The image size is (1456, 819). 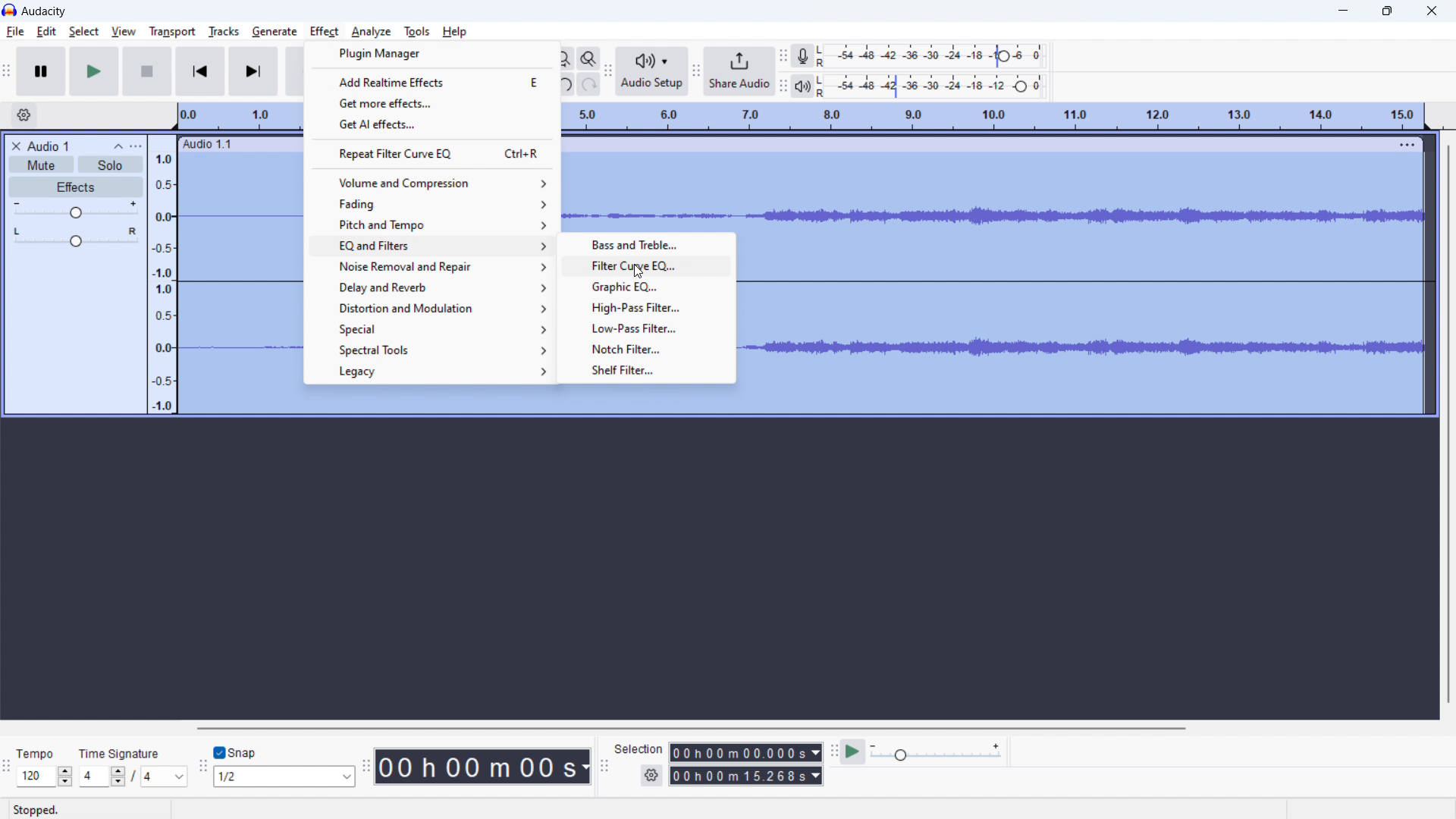 I want to click on fading, so click(x=431, y=205).